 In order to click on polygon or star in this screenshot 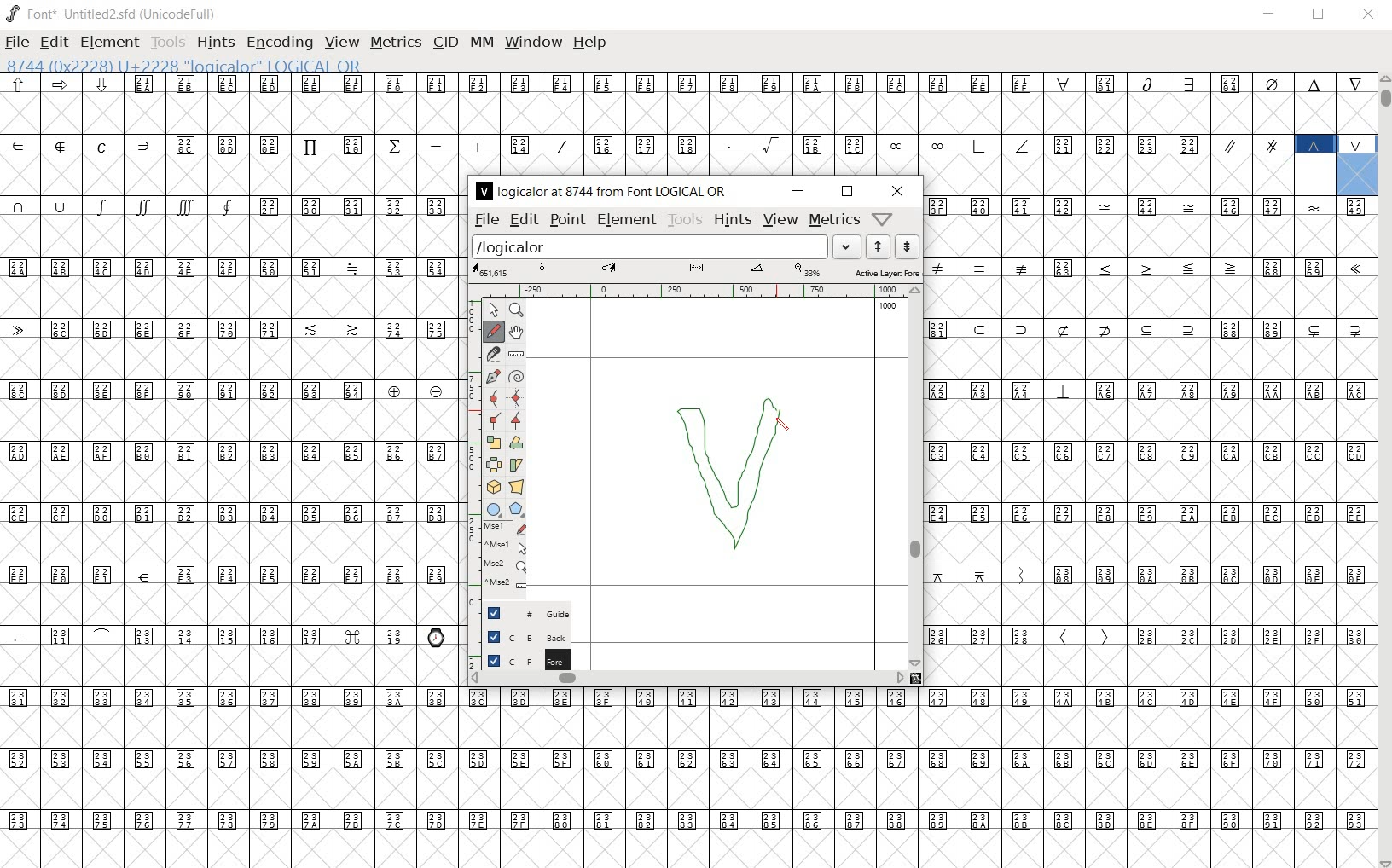, I will do `click(520, 509)`.